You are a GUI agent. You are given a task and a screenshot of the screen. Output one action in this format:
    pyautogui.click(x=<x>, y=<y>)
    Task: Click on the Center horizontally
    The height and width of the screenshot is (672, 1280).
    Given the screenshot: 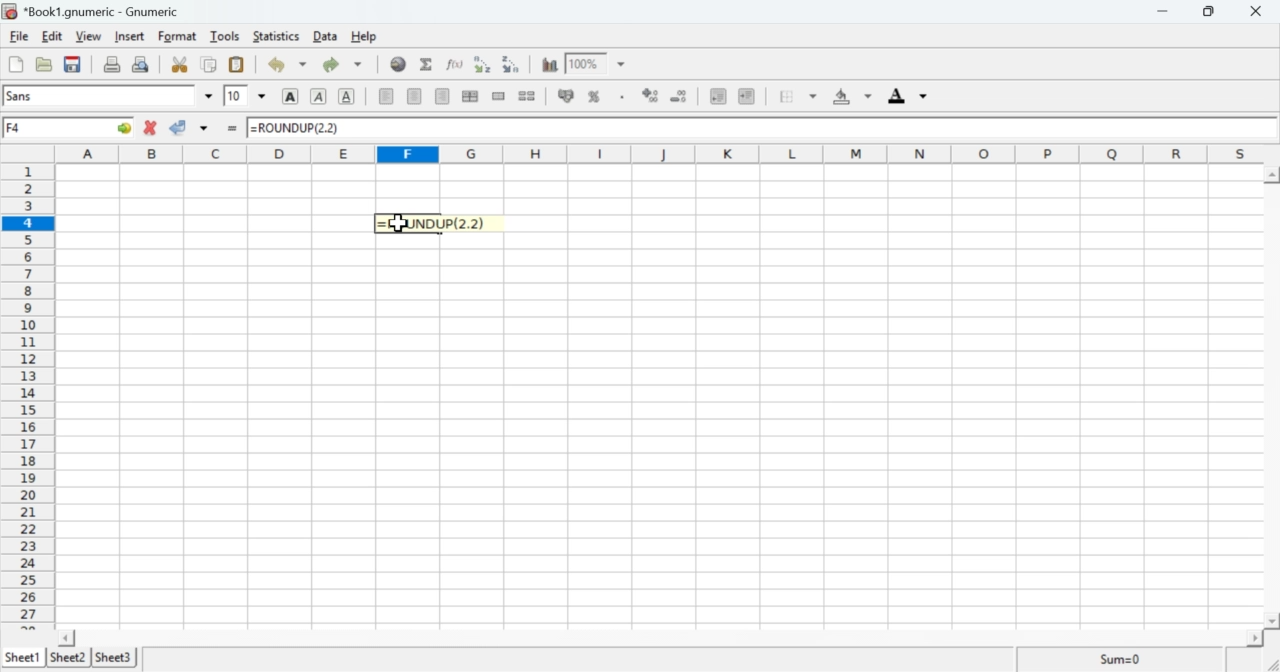 What is the action you would take?
    pyautogui.click(x=470, y=96)
    